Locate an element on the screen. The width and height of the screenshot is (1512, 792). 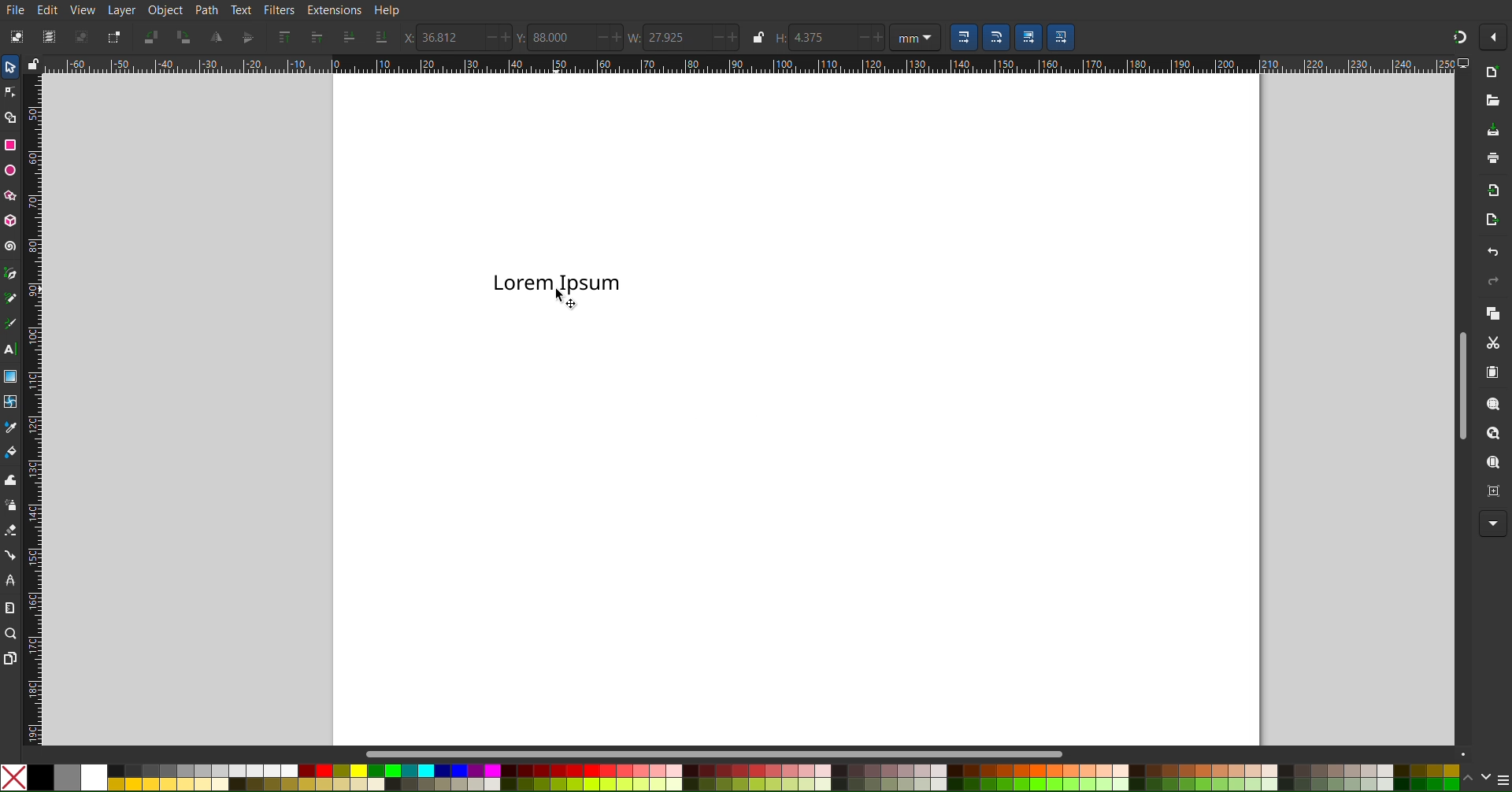
Select All is located at coordinates (47, 35).